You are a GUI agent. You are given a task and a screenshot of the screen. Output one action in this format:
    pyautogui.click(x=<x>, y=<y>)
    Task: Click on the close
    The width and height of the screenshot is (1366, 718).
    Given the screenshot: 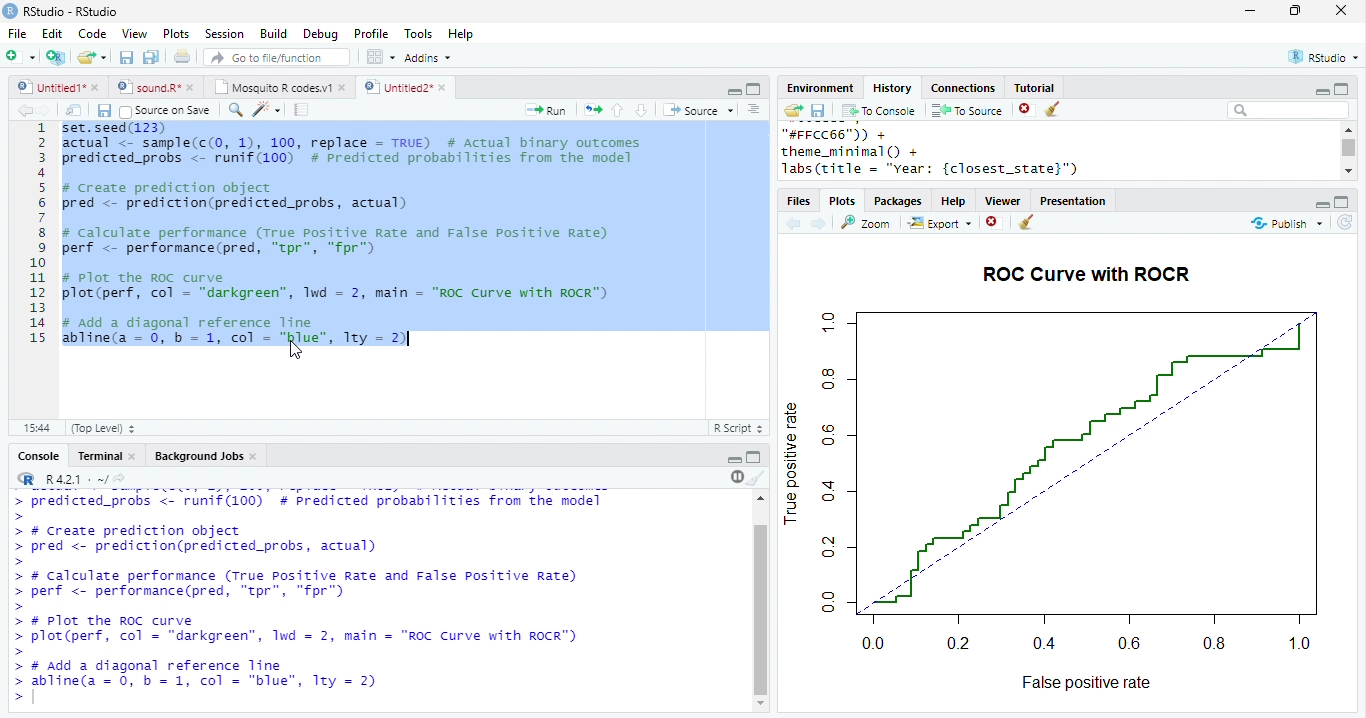 What is the action you would take?
    pyautogui.click(x=445, y=88)
    